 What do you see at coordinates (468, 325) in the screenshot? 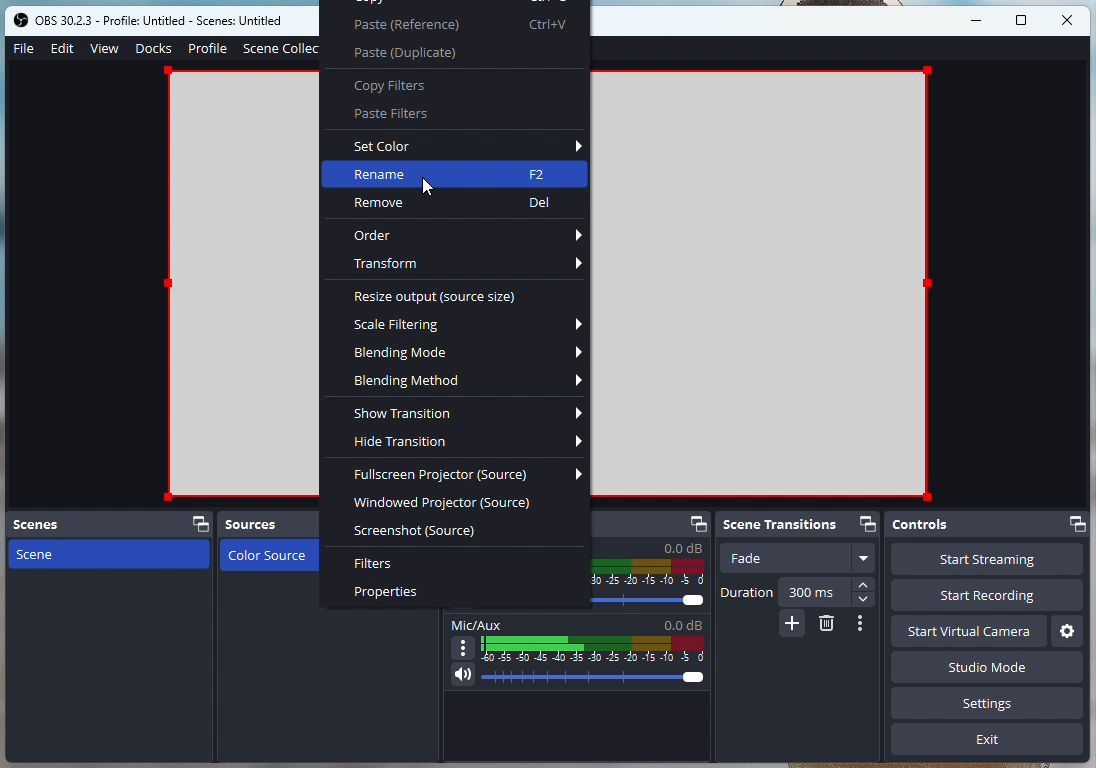
I see `Scale filtering` at bounding box center [468, 325].